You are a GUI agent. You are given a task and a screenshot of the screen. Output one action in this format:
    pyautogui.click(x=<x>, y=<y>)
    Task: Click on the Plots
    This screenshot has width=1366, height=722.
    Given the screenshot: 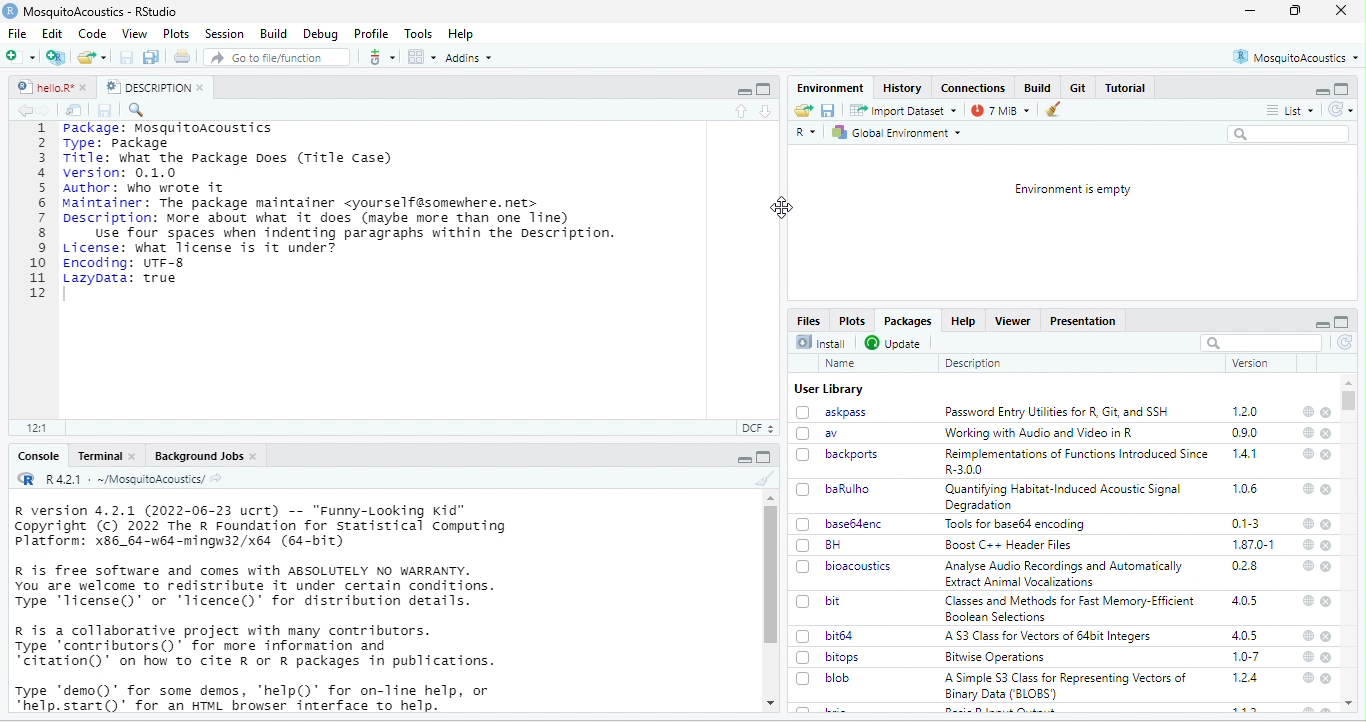 What is the action you would take?
    pyautogui.click(x=855, y=320)
    